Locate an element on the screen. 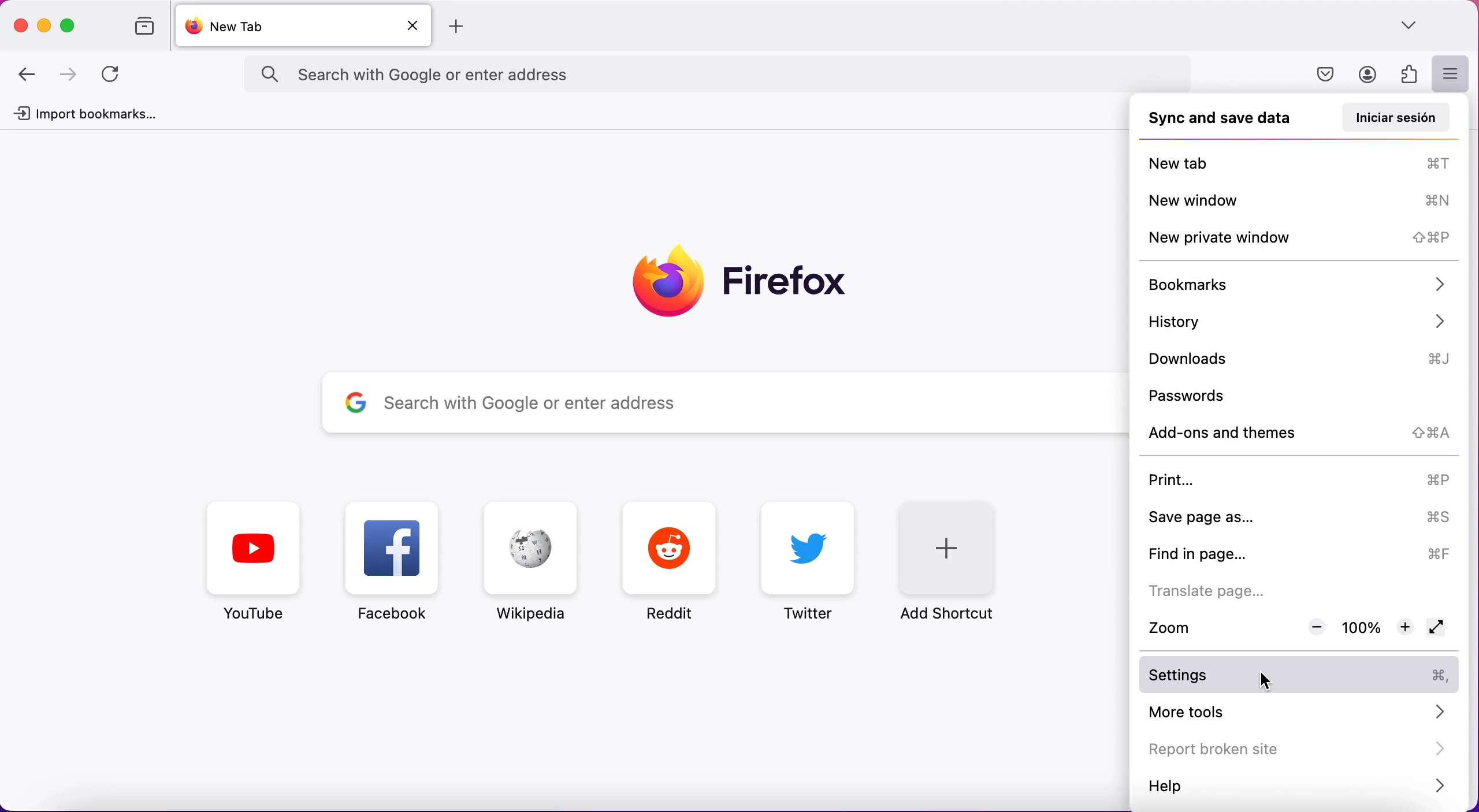 Image resolution: width=1479 pixels, height=812 pixels. Reddit is located at coordinates (671, 563).